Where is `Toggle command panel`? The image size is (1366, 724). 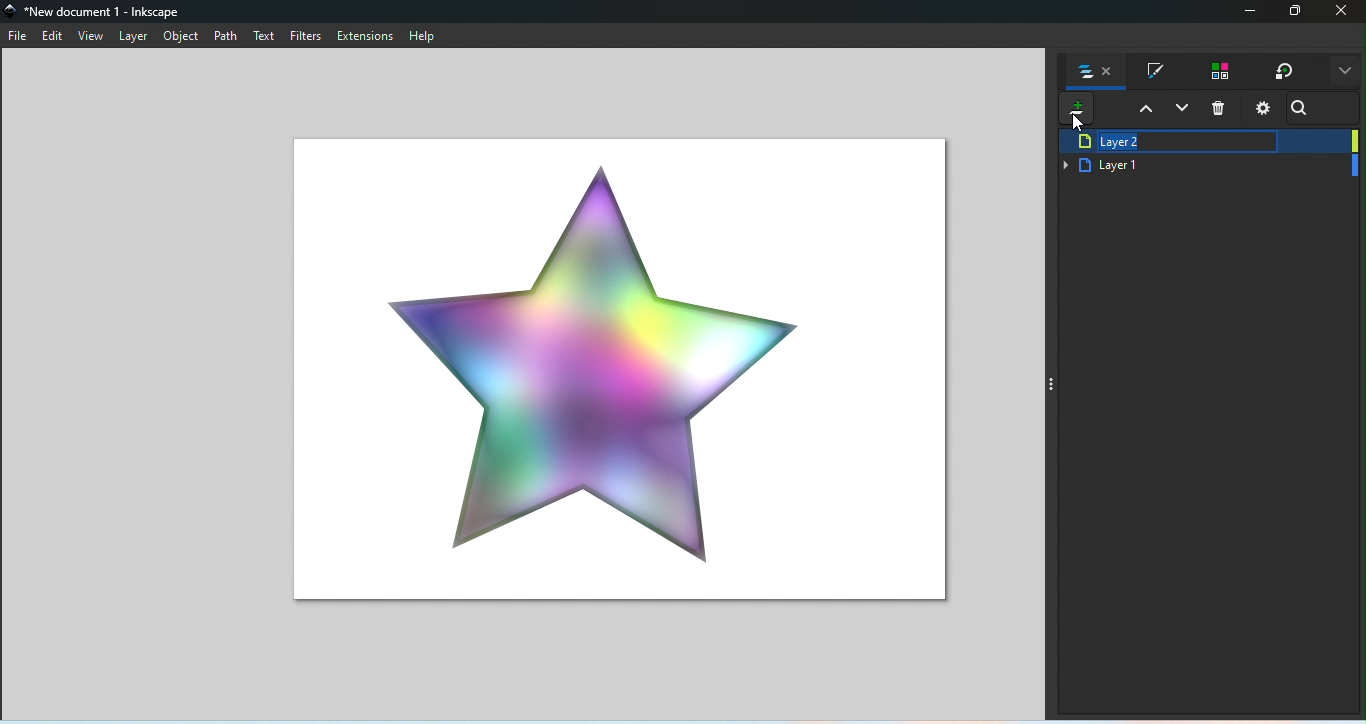 Toggle command panel is located at coordinates (1054, 383).